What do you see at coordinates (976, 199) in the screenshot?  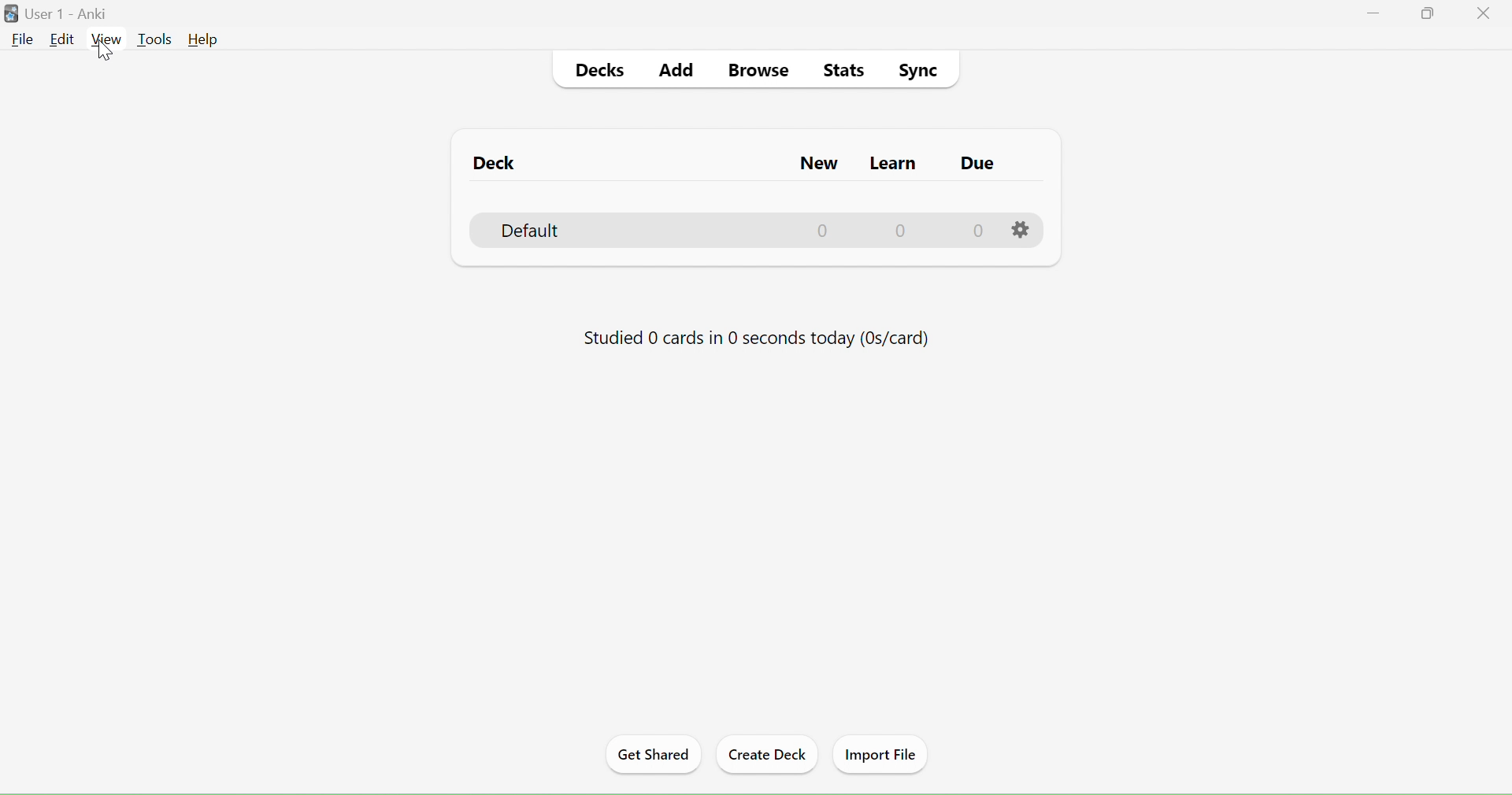 I see `due` at bounding box center [976, 199].